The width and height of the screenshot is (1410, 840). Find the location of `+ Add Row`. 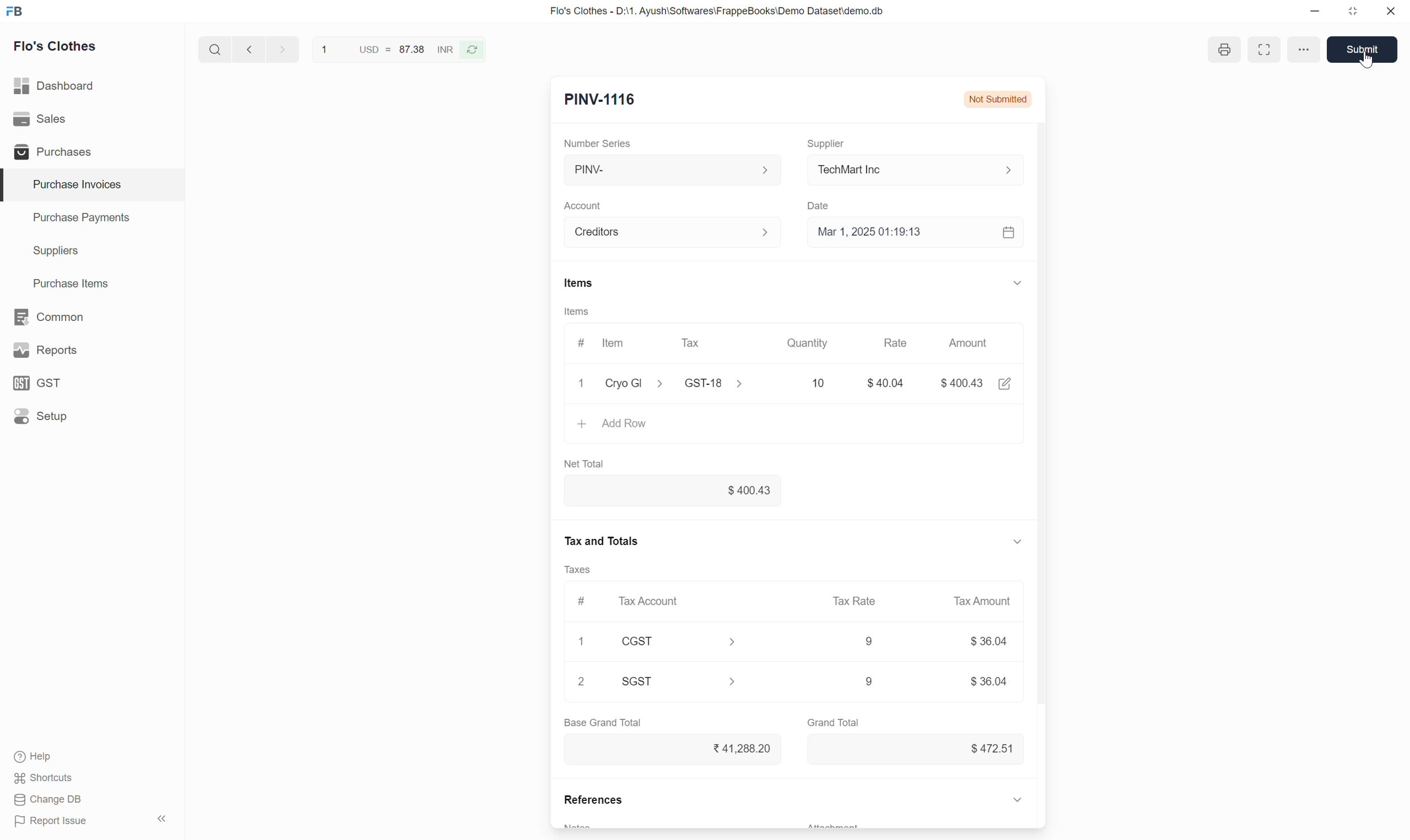

+ Add Row is located at coordinates (616, 423).